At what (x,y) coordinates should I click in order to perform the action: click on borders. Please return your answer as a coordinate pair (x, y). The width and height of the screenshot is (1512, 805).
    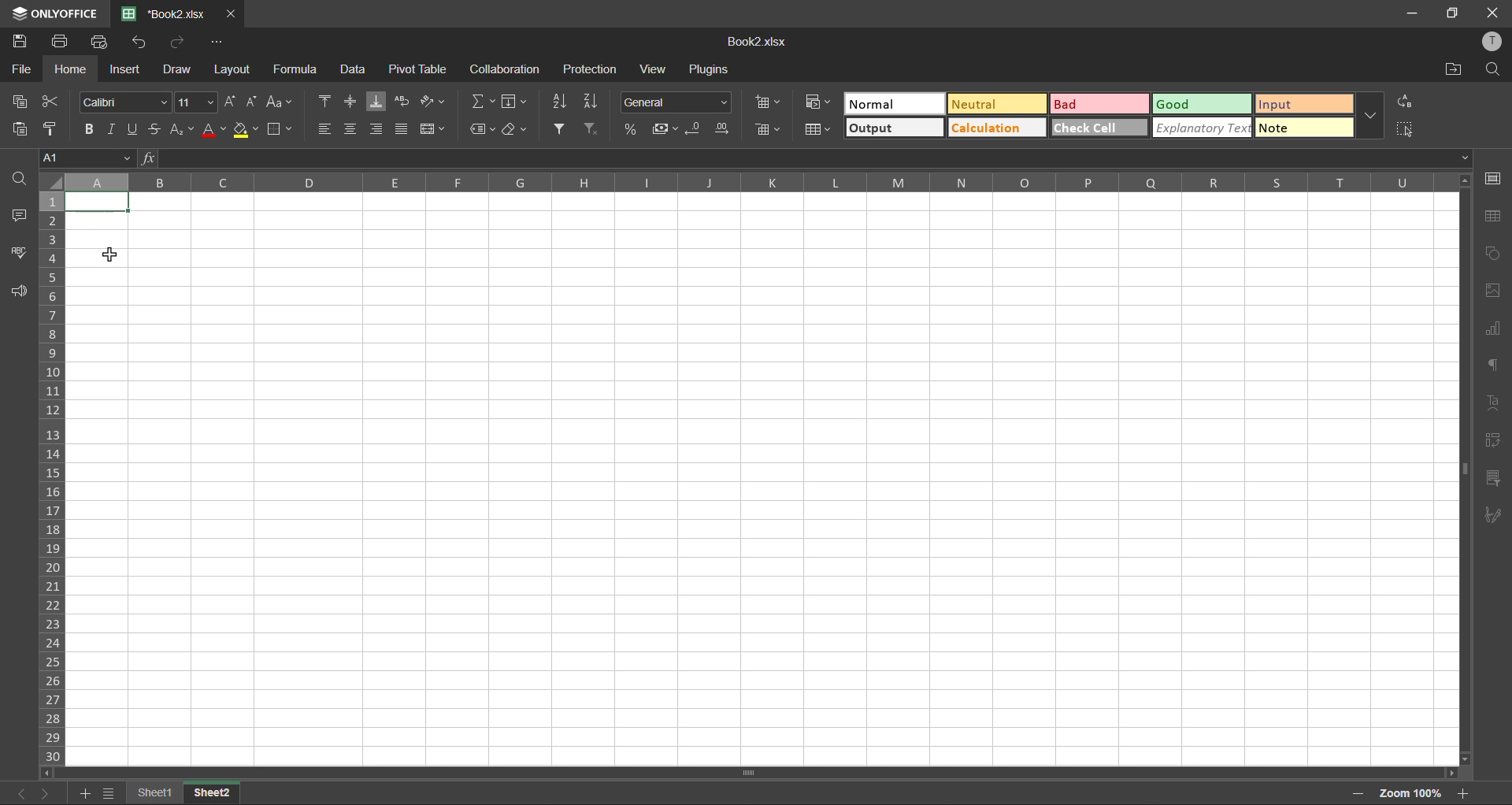
    Looking at the image, I should click on (282, 131).